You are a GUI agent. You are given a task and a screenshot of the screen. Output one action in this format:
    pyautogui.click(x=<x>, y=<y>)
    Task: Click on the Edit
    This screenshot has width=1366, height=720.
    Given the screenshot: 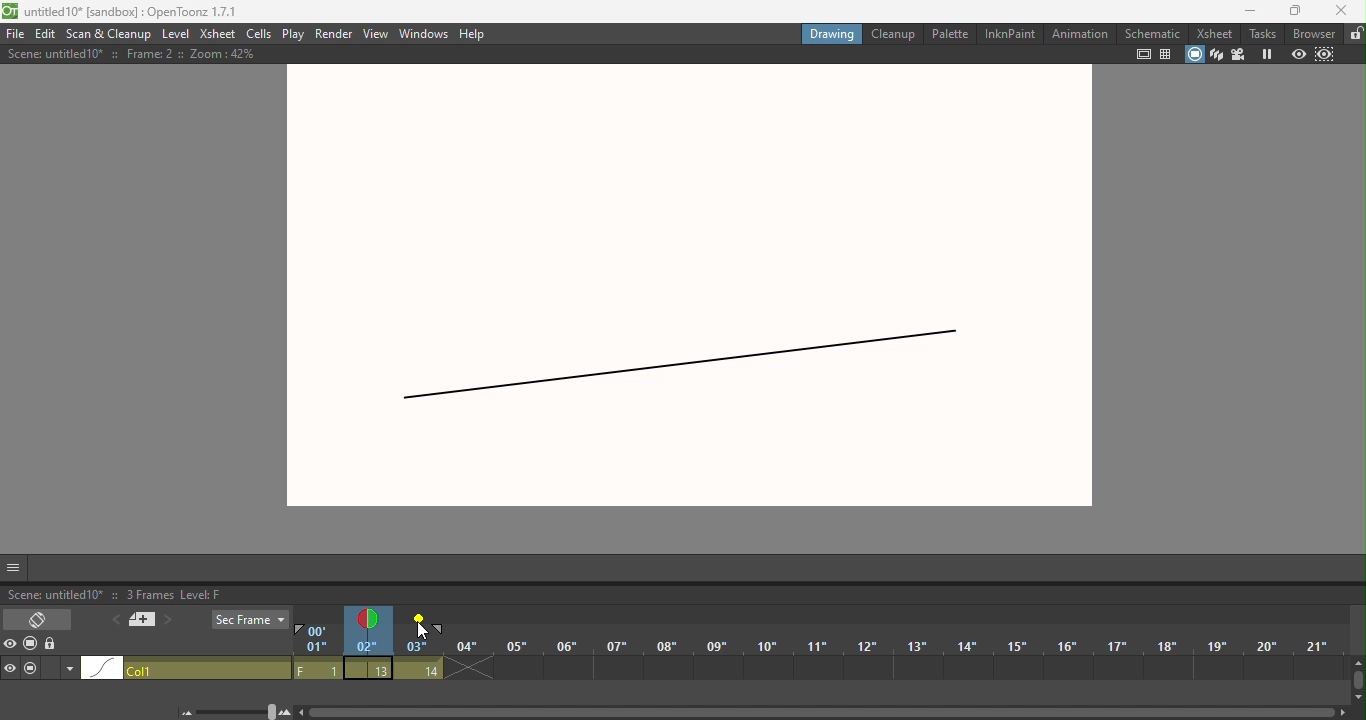 What is the action you would take?
    pyautogui.click(x=47, y=34)
    